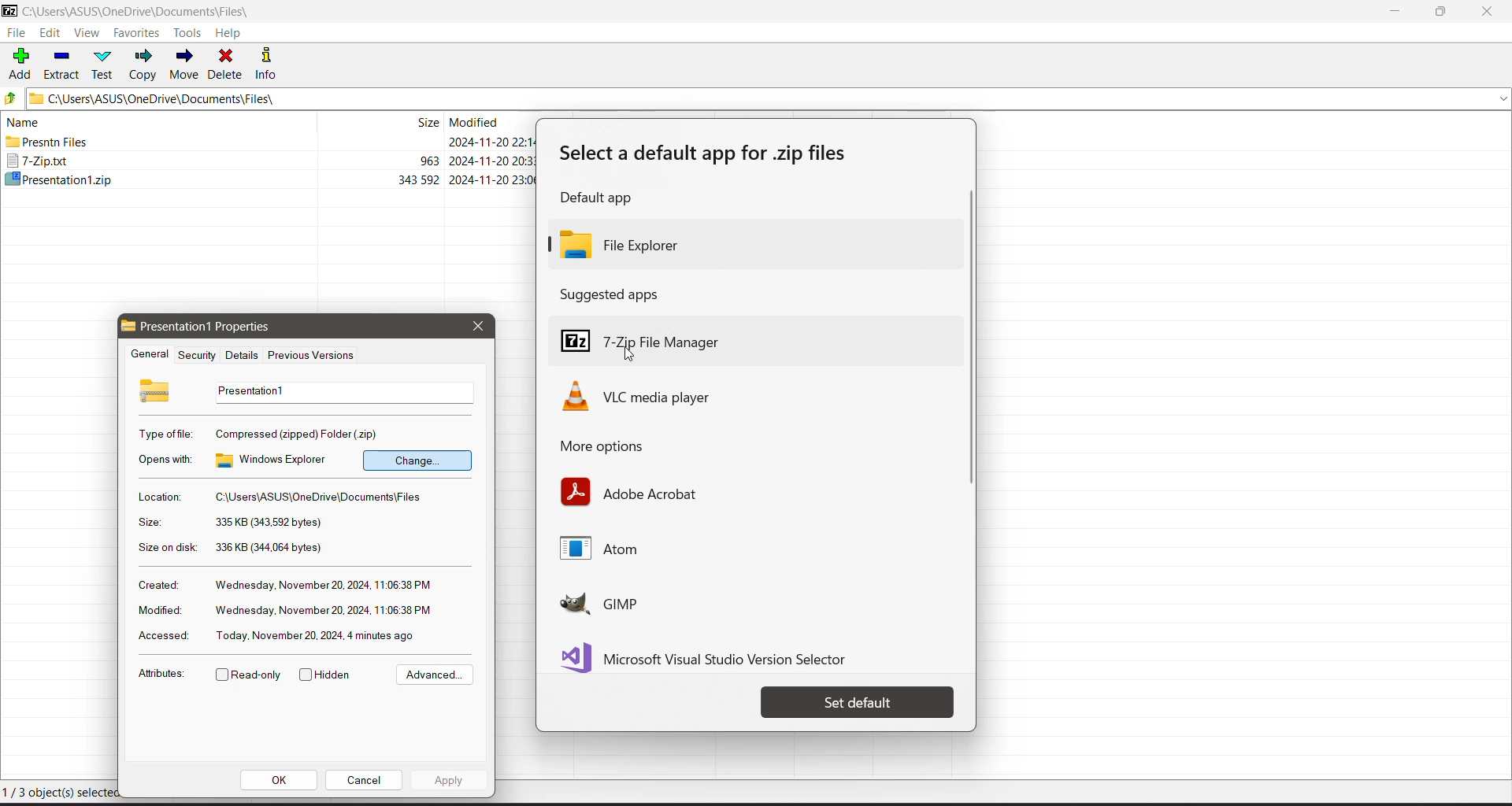  I want to click on General, so click(147, 355).